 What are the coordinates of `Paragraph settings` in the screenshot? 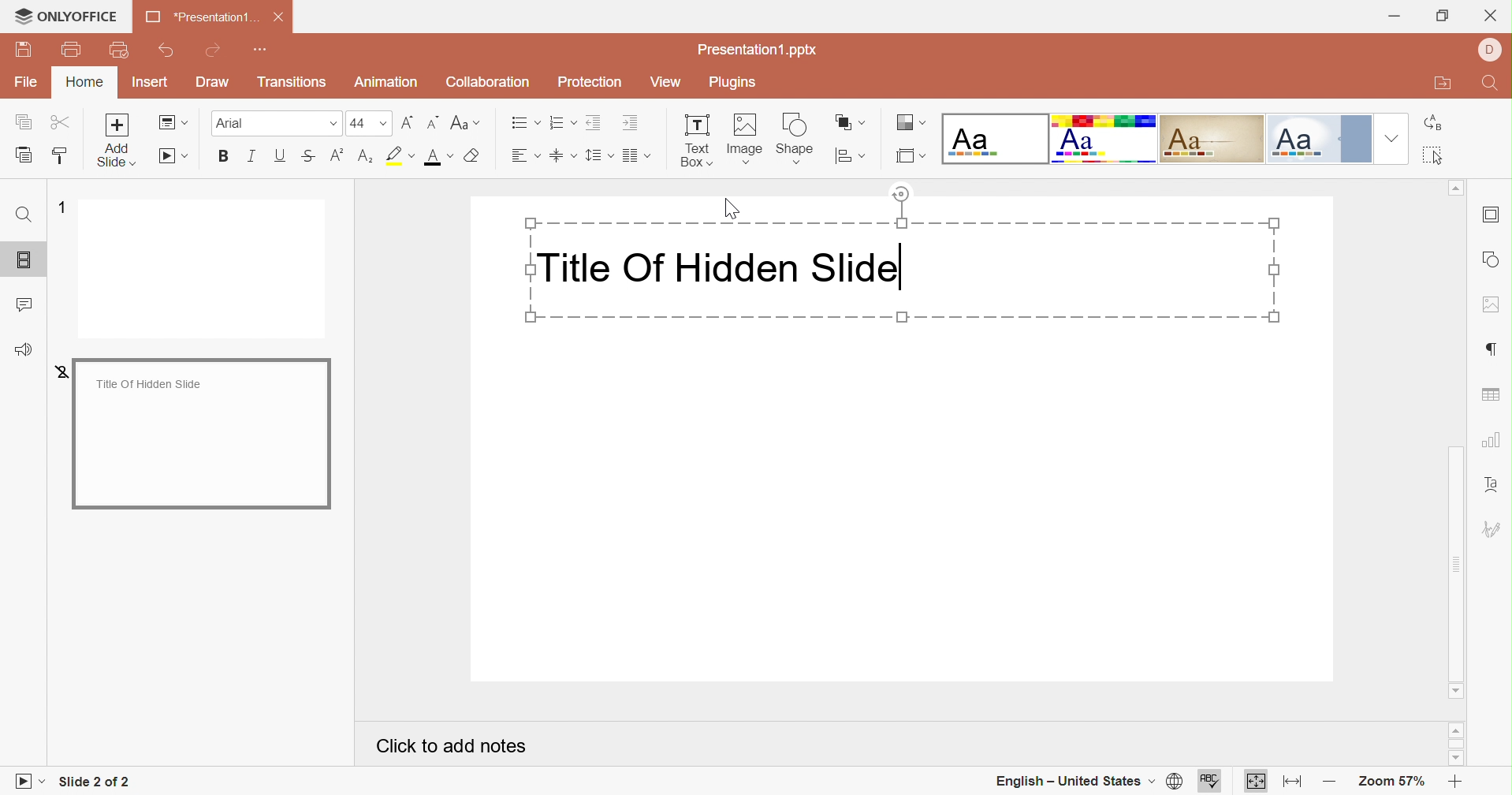 It's located at (1494, 349).